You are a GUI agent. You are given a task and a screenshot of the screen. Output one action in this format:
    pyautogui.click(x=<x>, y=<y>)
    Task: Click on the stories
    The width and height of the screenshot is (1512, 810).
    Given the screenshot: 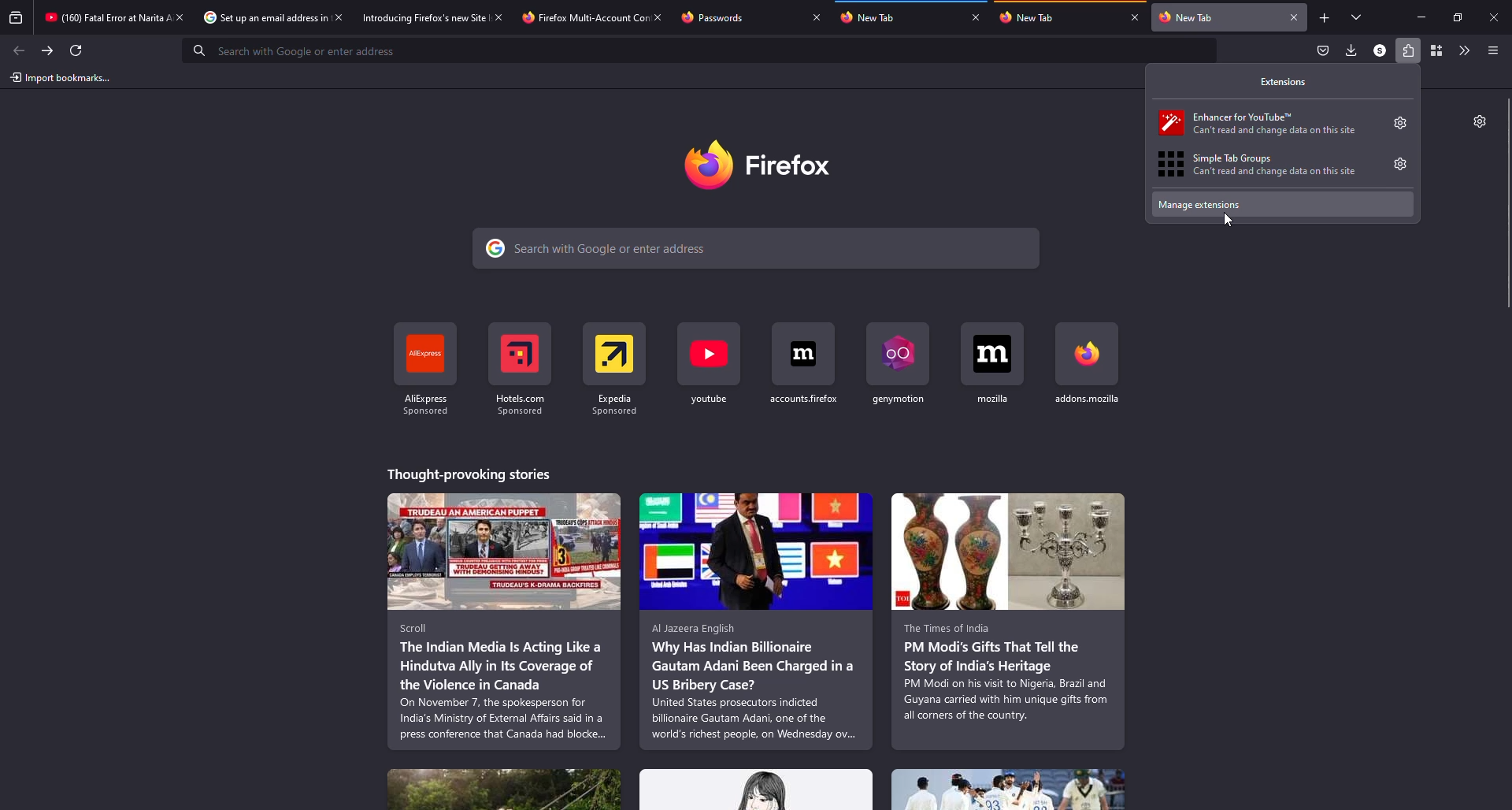 What is the action you would take?
    pyautogui.click(x=1008, y=790)
    